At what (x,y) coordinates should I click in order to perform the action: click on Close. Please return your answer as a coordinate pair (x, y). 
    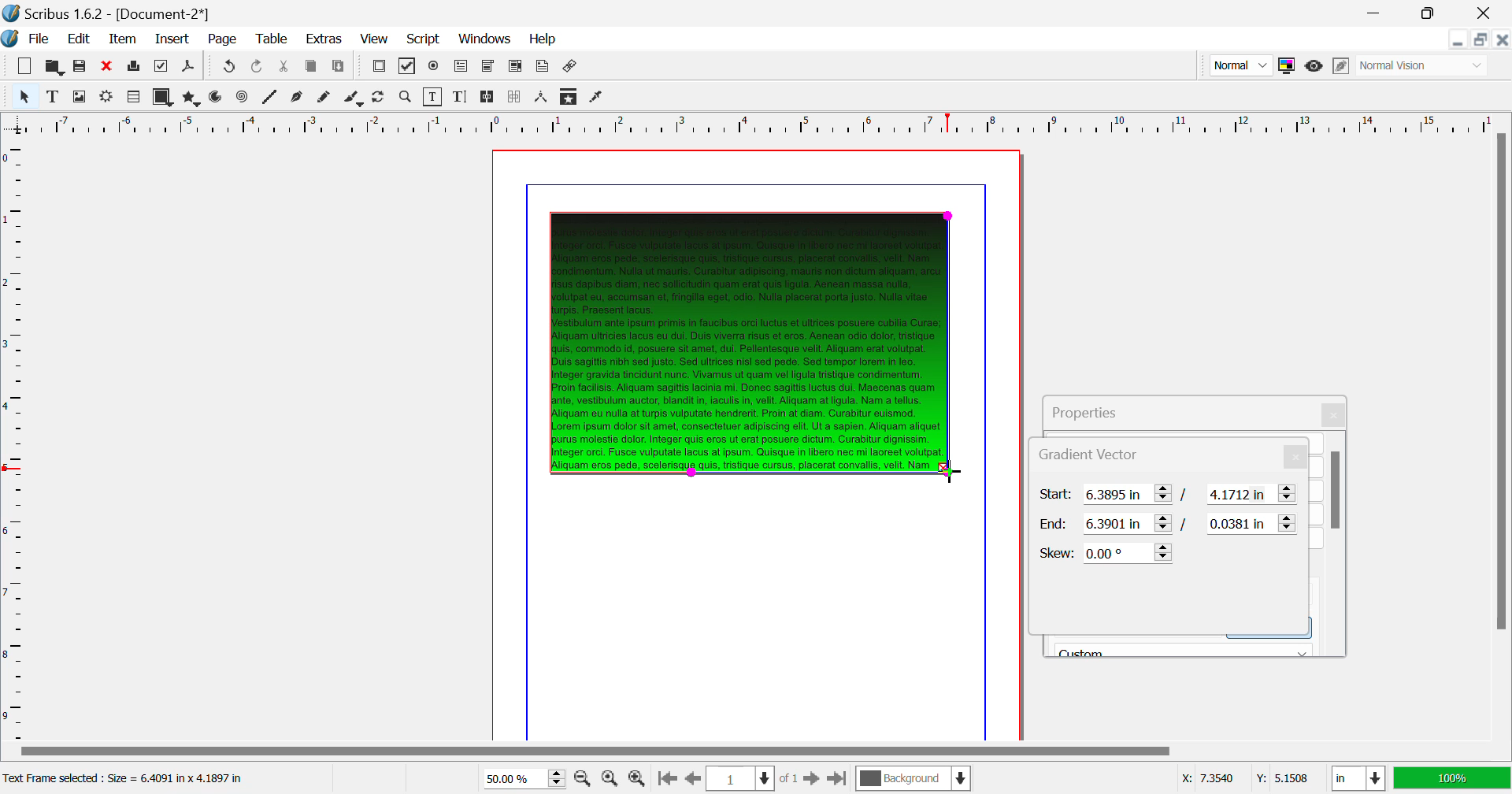
    Looking at the image, I should click on (1298, 457).